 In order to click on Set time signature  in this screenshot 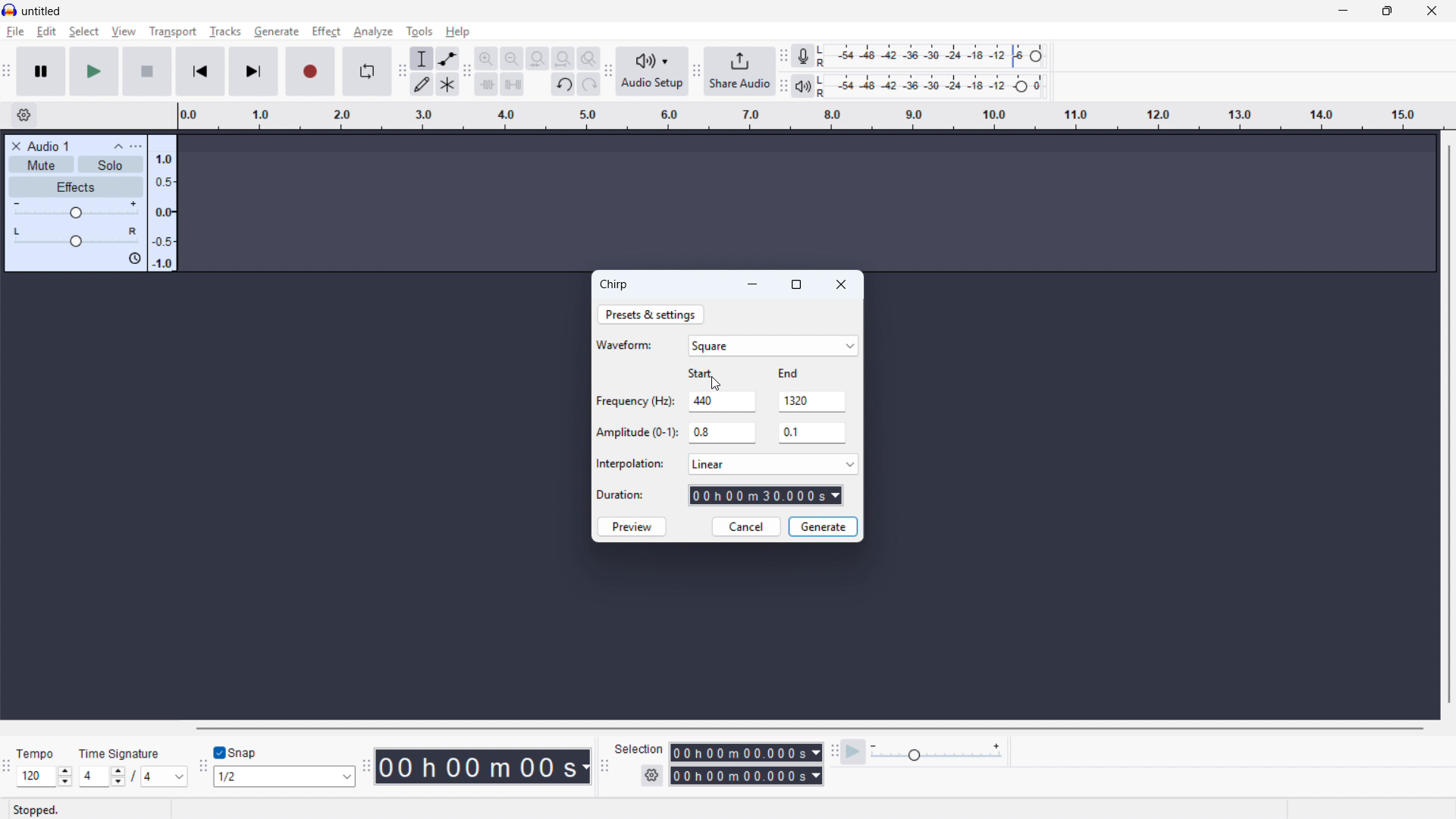, I will do `click(136, 777)`.